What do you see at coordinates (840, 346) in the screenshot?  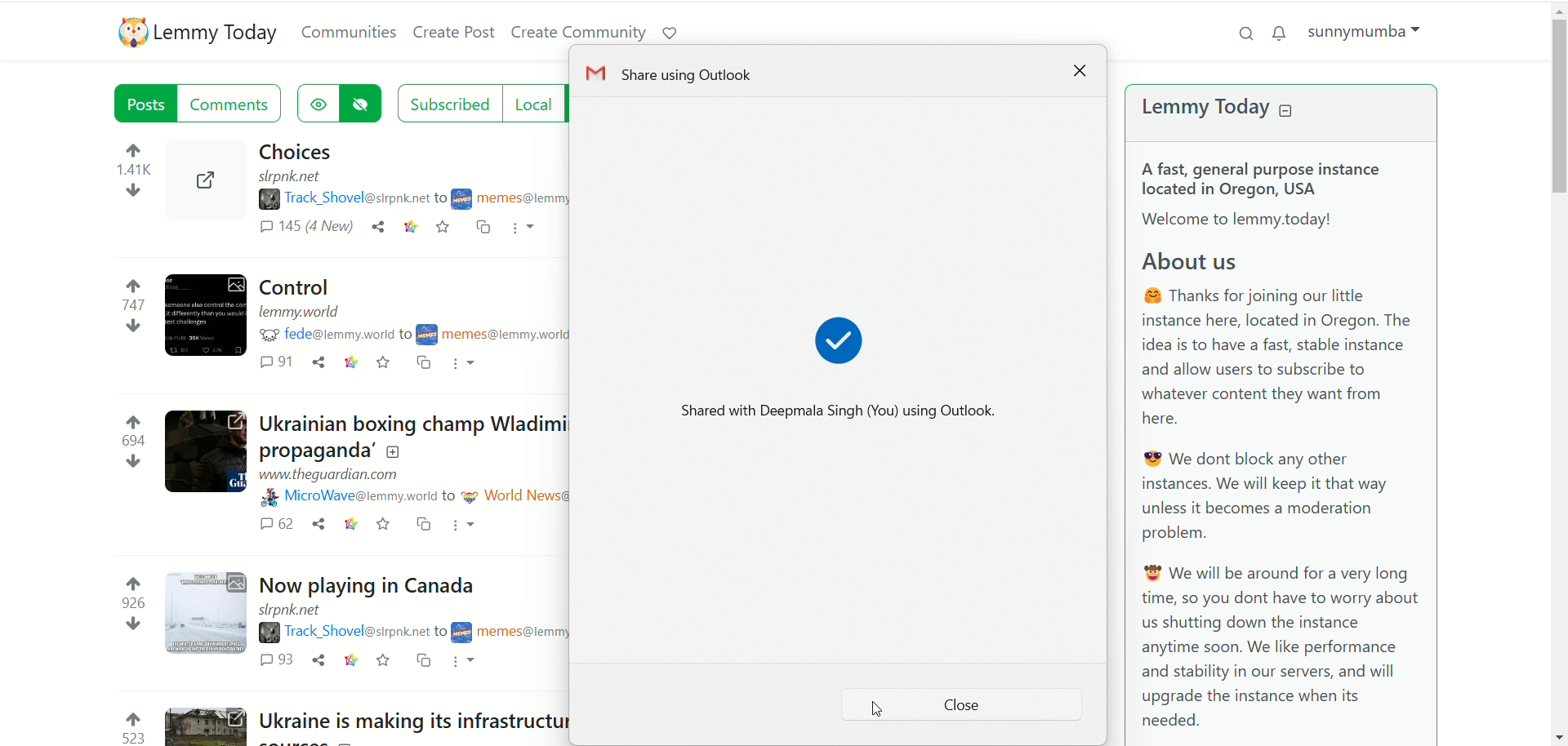 I see `shared sign` at bounding box center [840, 346].